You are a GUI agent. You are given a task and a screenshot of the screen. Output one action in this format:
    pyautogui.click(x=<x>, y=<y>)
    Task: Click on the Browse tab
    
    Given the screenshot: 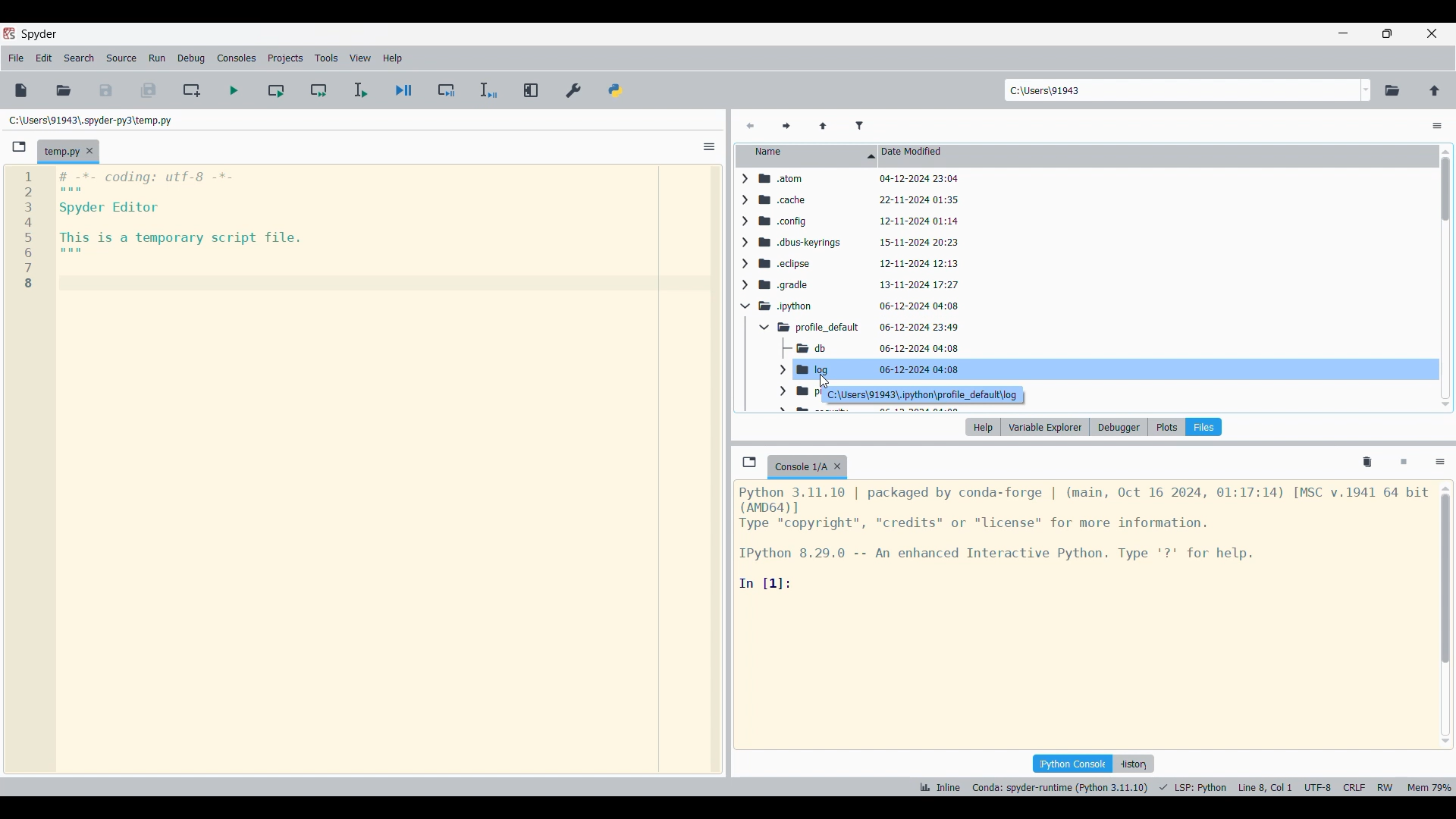 What is the action you would take?
    pyautogui.click(x=19, y=147)
    